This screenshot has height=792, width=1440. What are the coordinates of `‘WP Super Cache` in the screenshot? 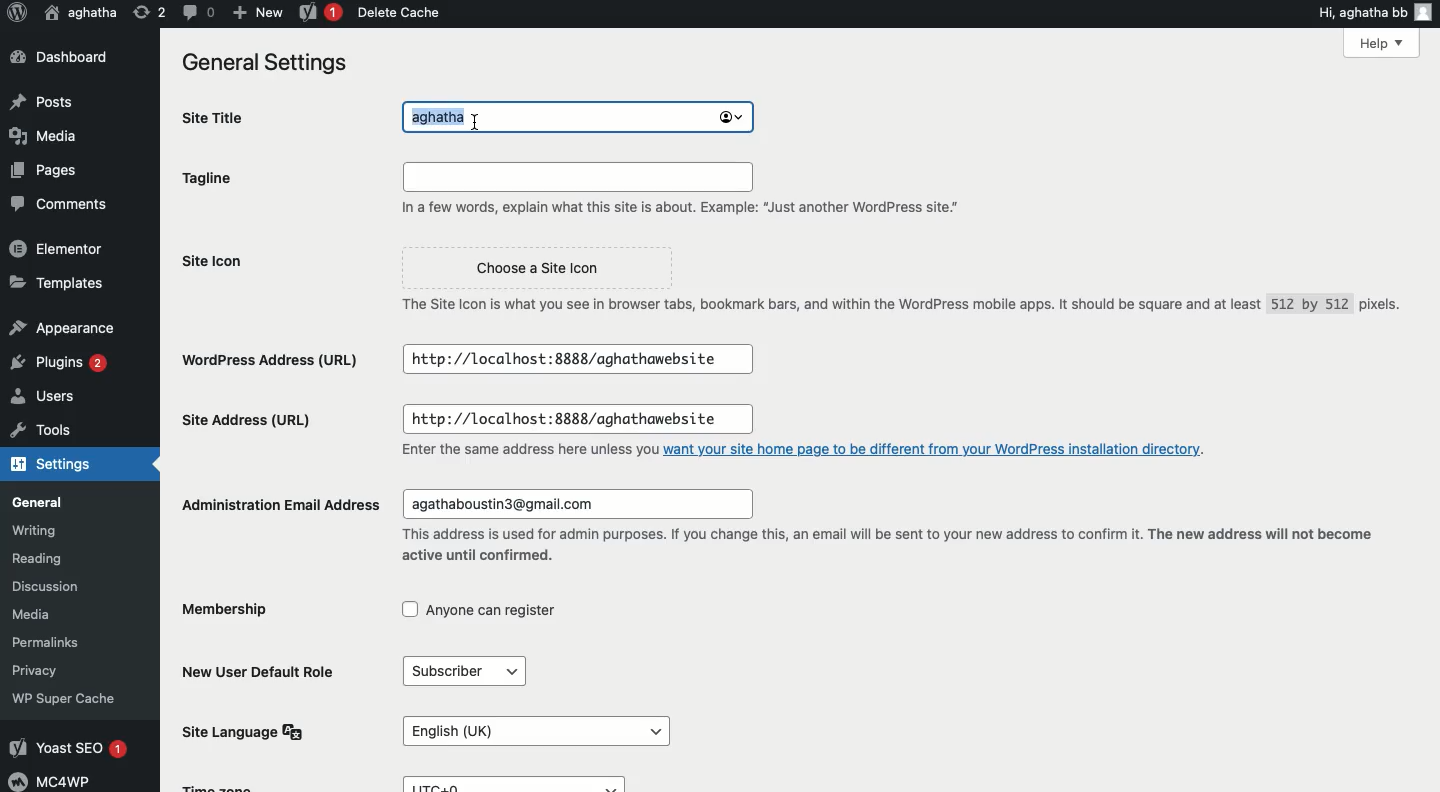 It's located at (65, 698).